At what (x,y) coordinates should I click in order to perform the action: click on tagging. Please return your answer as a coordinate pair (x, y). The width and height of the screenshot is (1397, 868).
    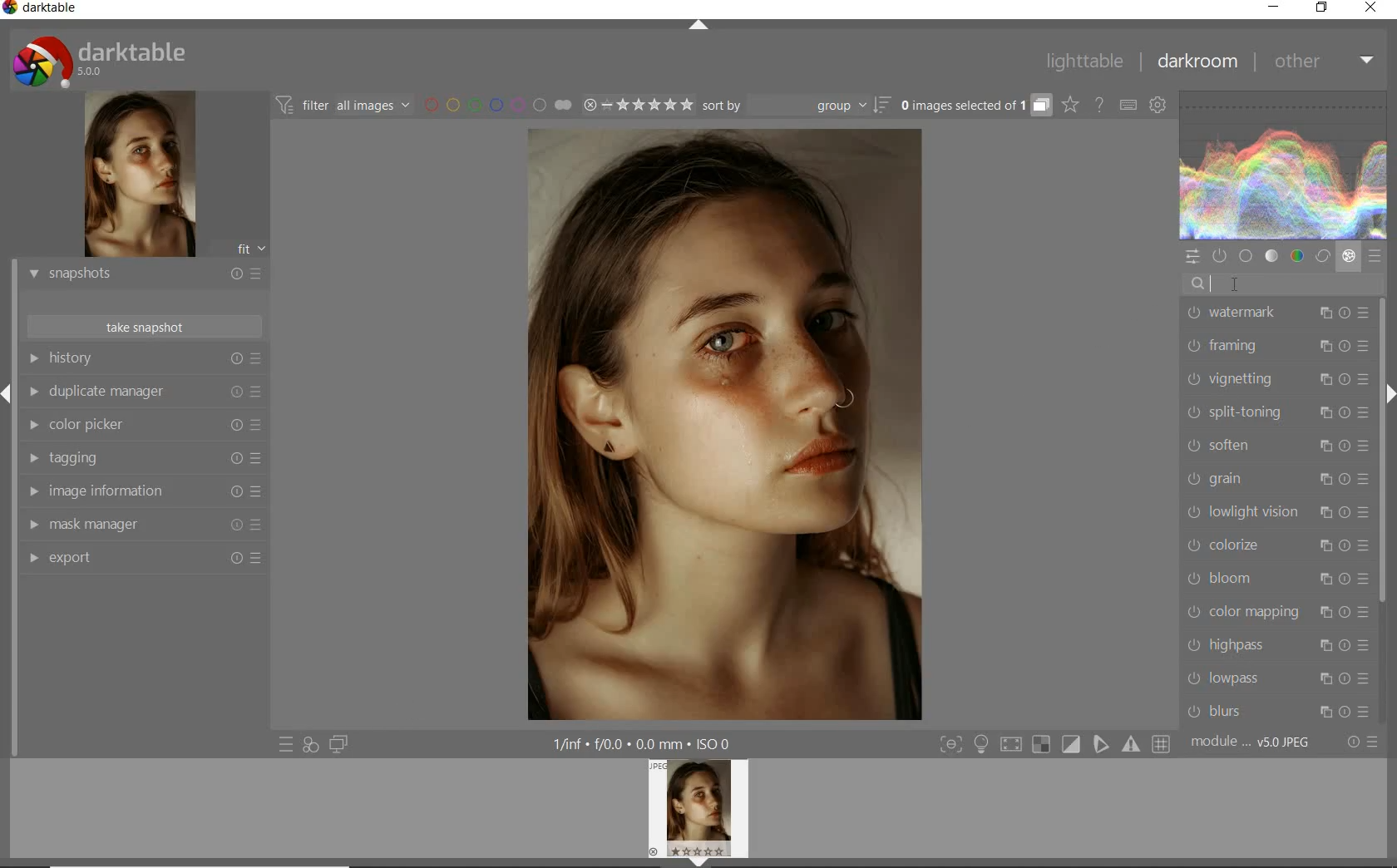
    Looking at the image, I should click on (141, 459).